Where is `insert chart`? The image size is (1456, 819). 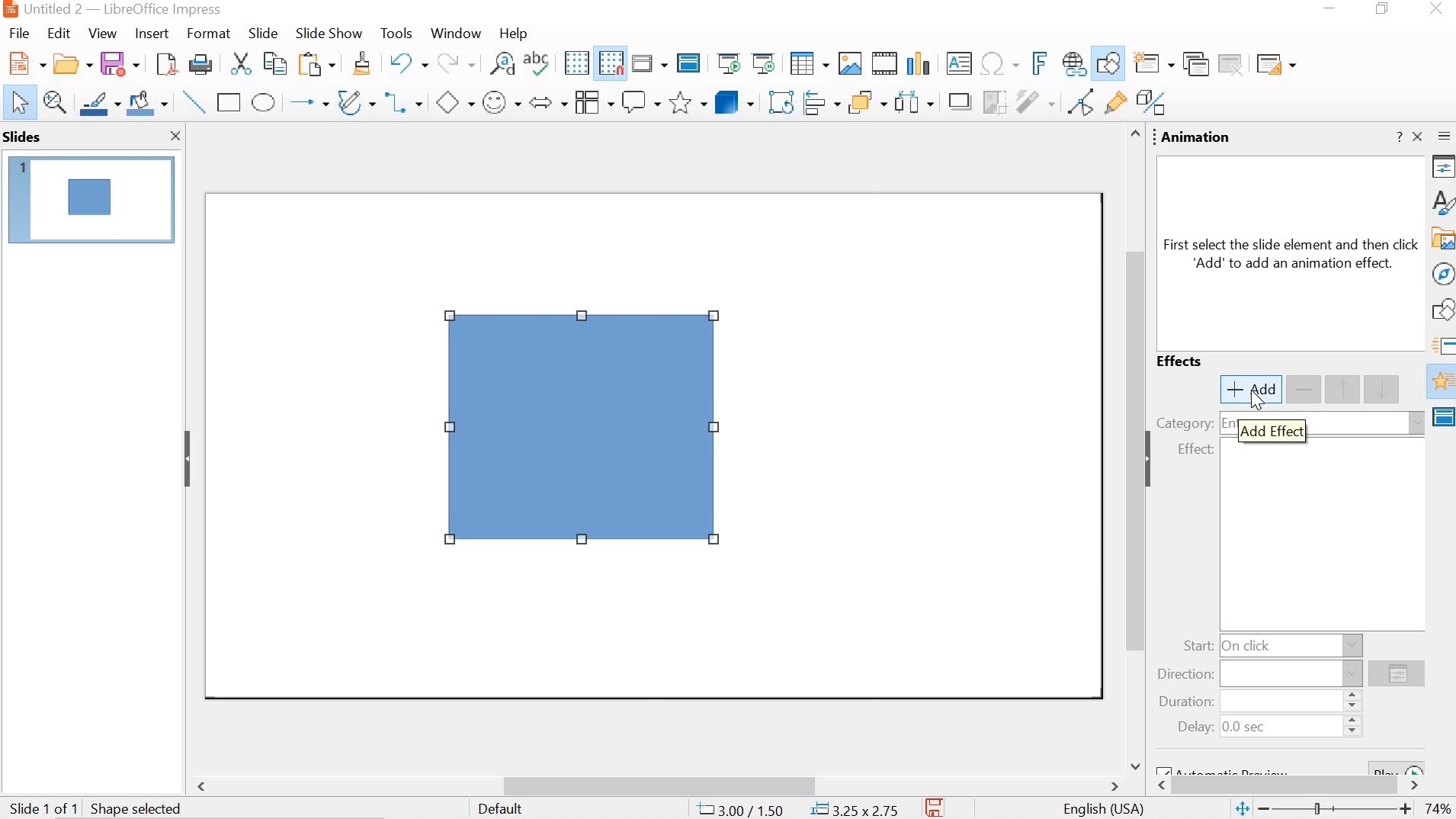 insert chart is located at coordinates (918, 64).